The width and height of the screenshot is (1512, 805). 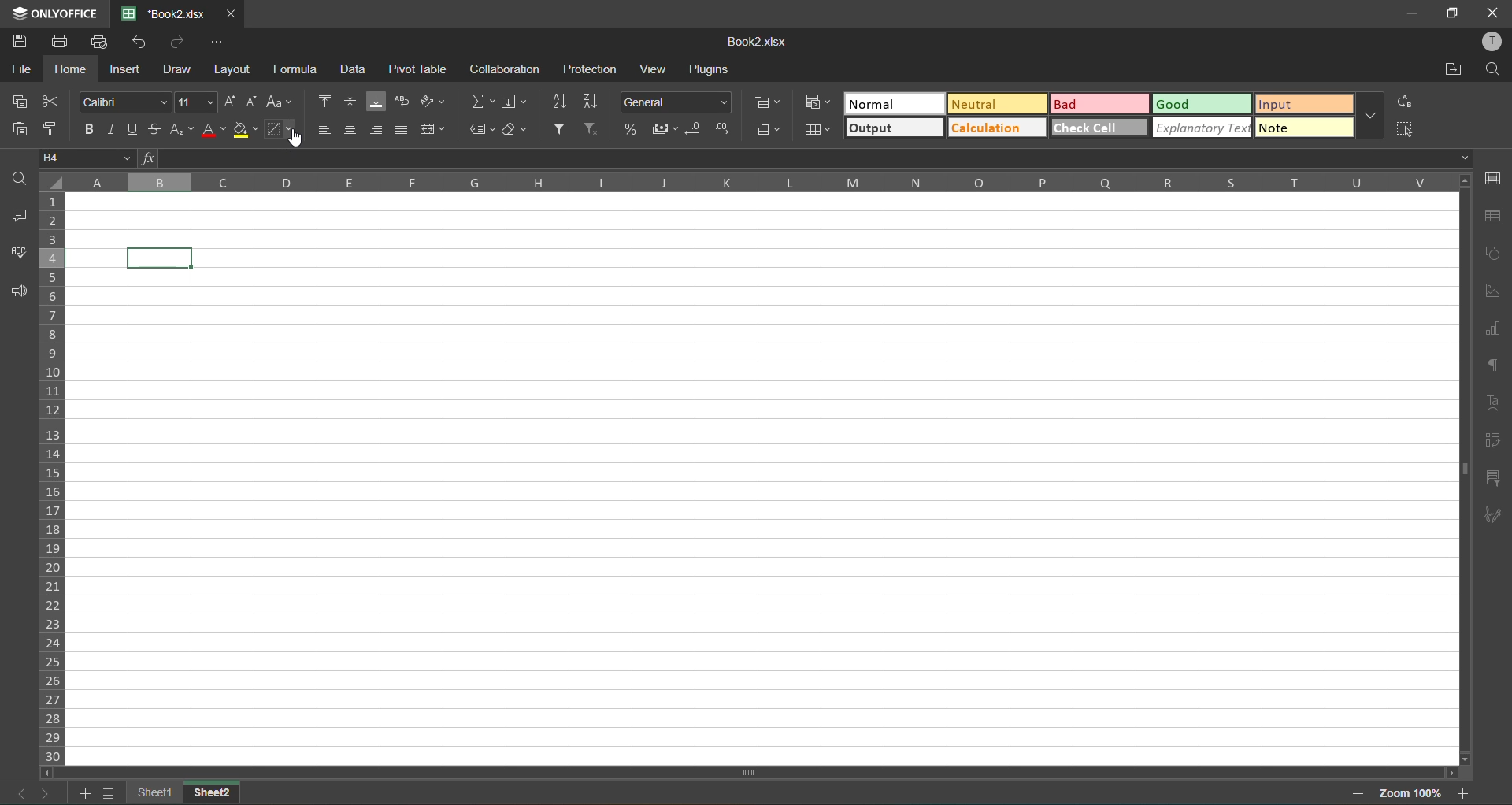 I want to click on MINIMISE, so click(x=1410, y=15).